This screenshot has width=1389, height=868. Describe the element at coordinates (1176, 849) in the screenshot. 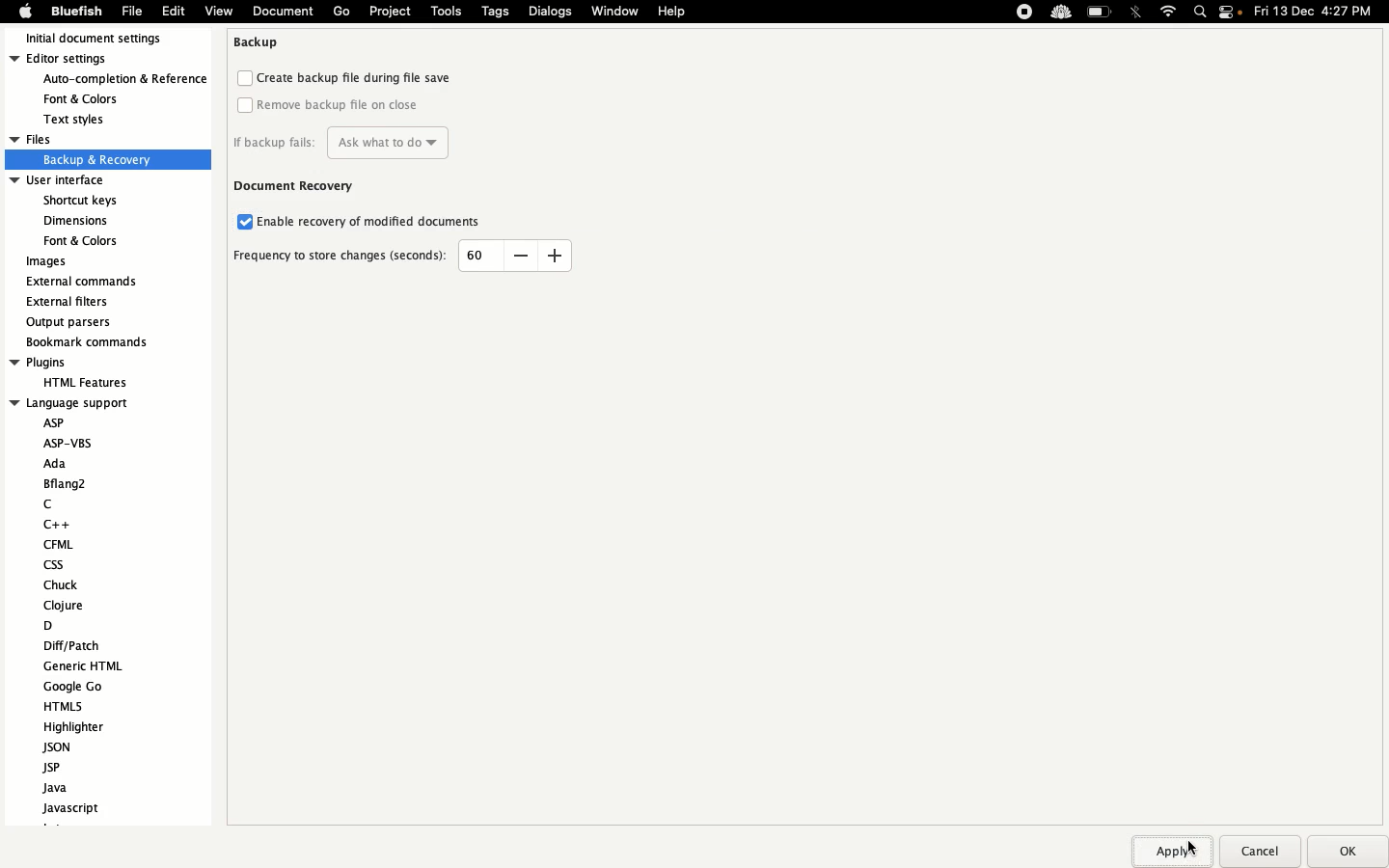

I see `Apply` at that location.